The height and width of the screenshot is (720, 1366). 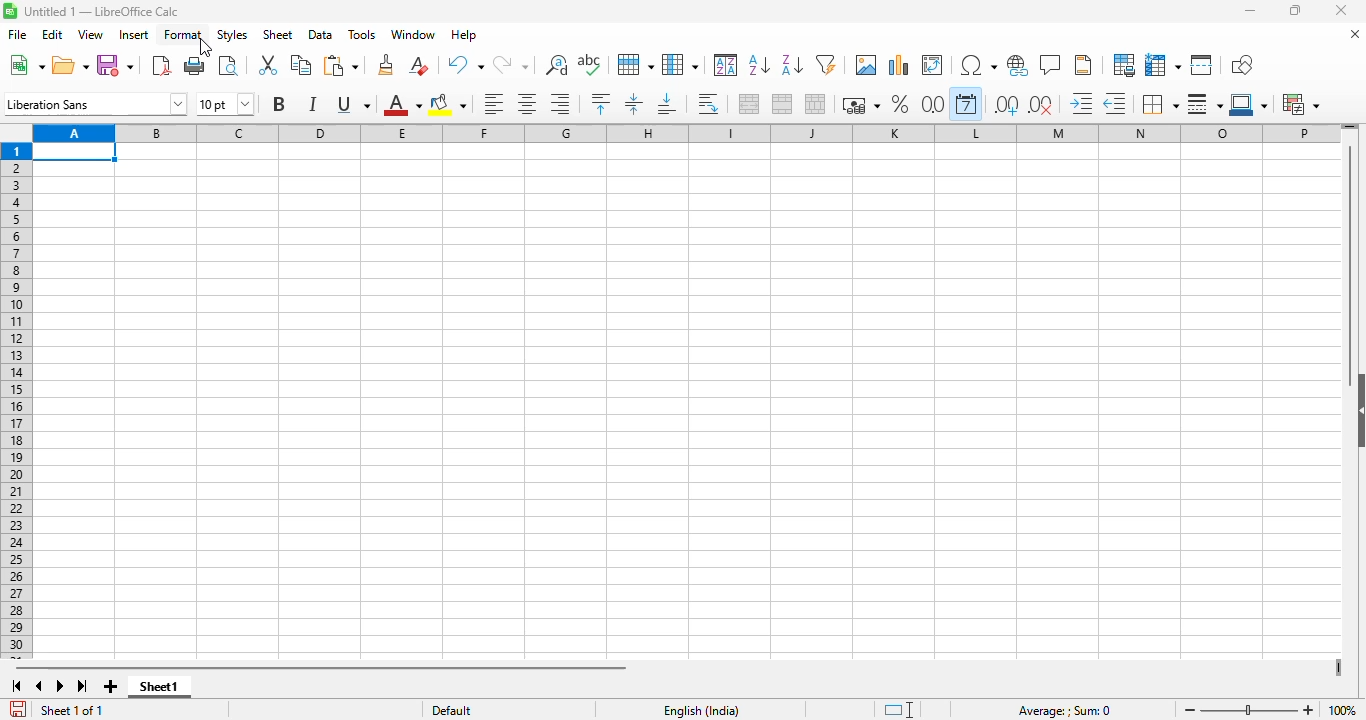 What do you see at coordinates (115, 66) in the screenshot?
I see `save` at bounding box center [115, 66].